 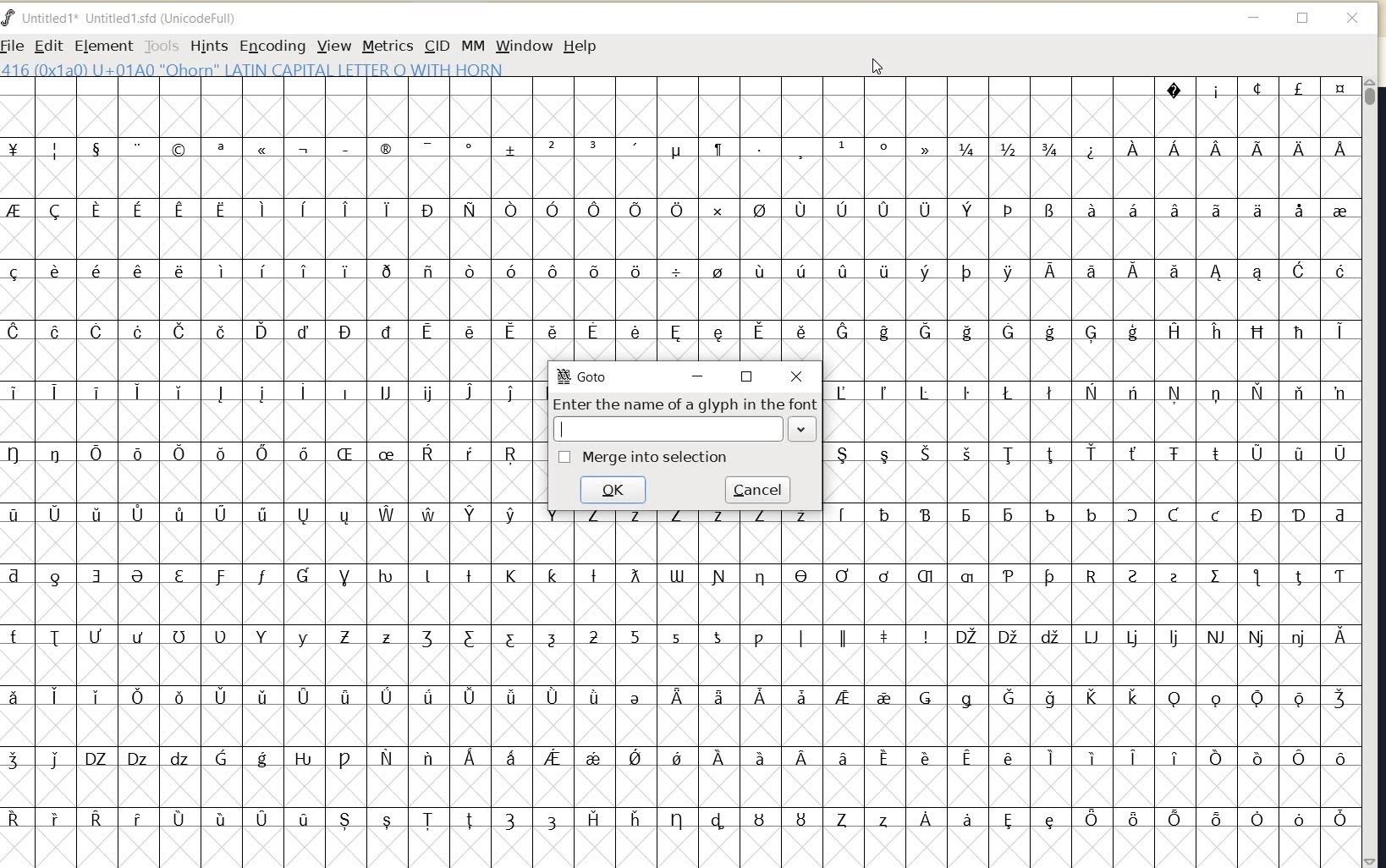 I want to click on CID, so click(x=435, y=45).